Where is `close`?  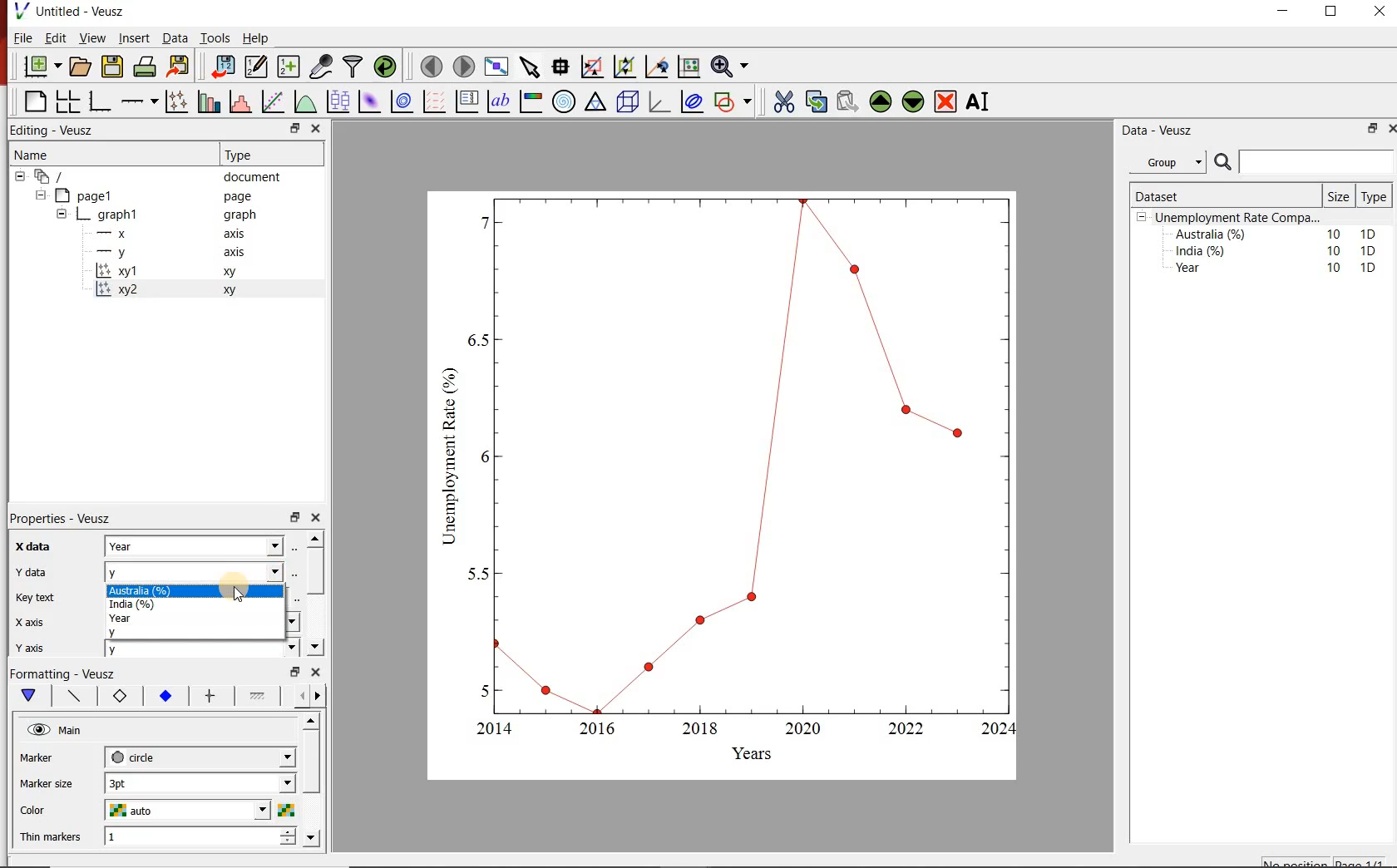 close is located at coordinates (317, 128).